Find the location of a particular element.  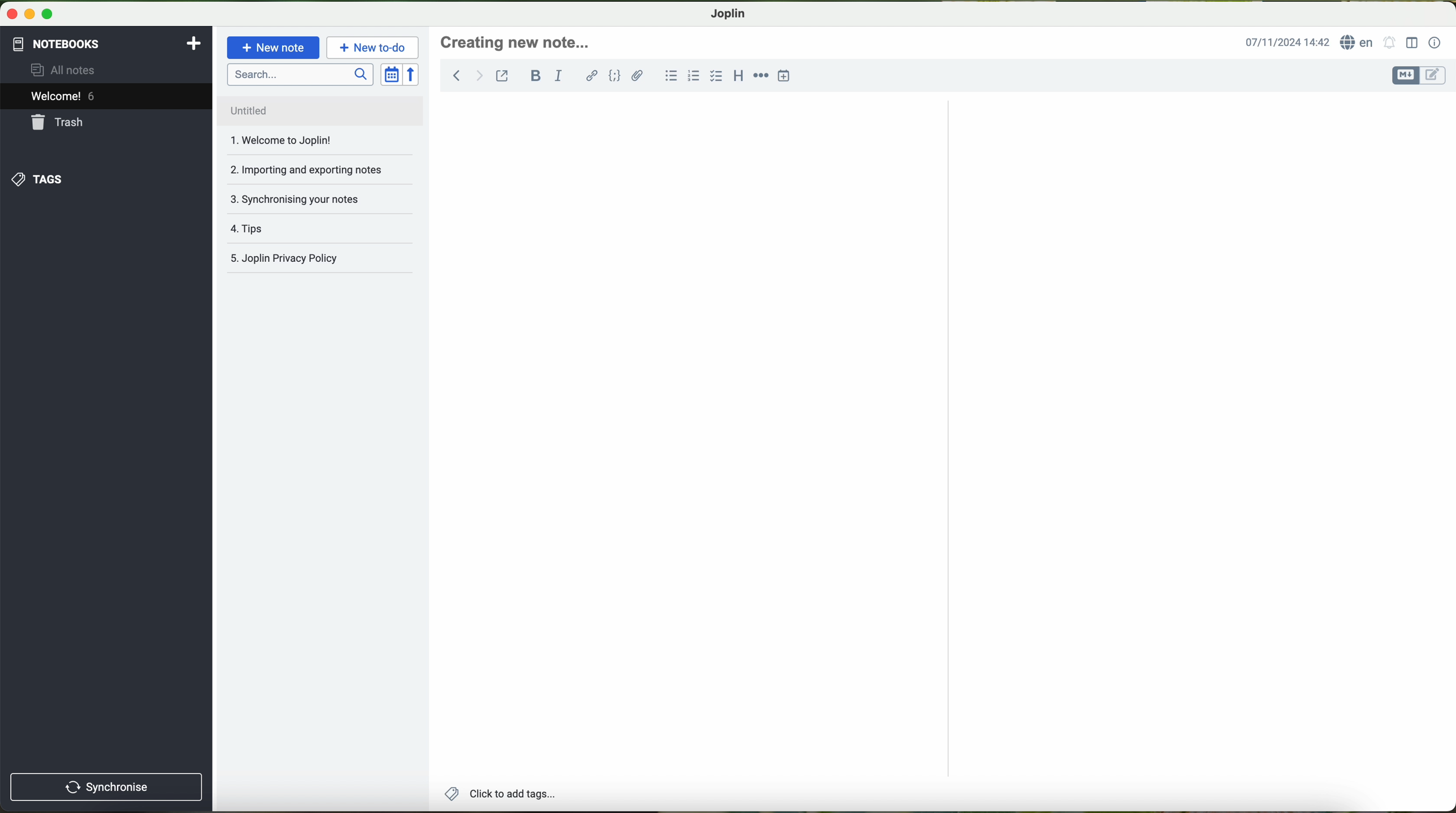

search bar is located at coordinates (298, 73).